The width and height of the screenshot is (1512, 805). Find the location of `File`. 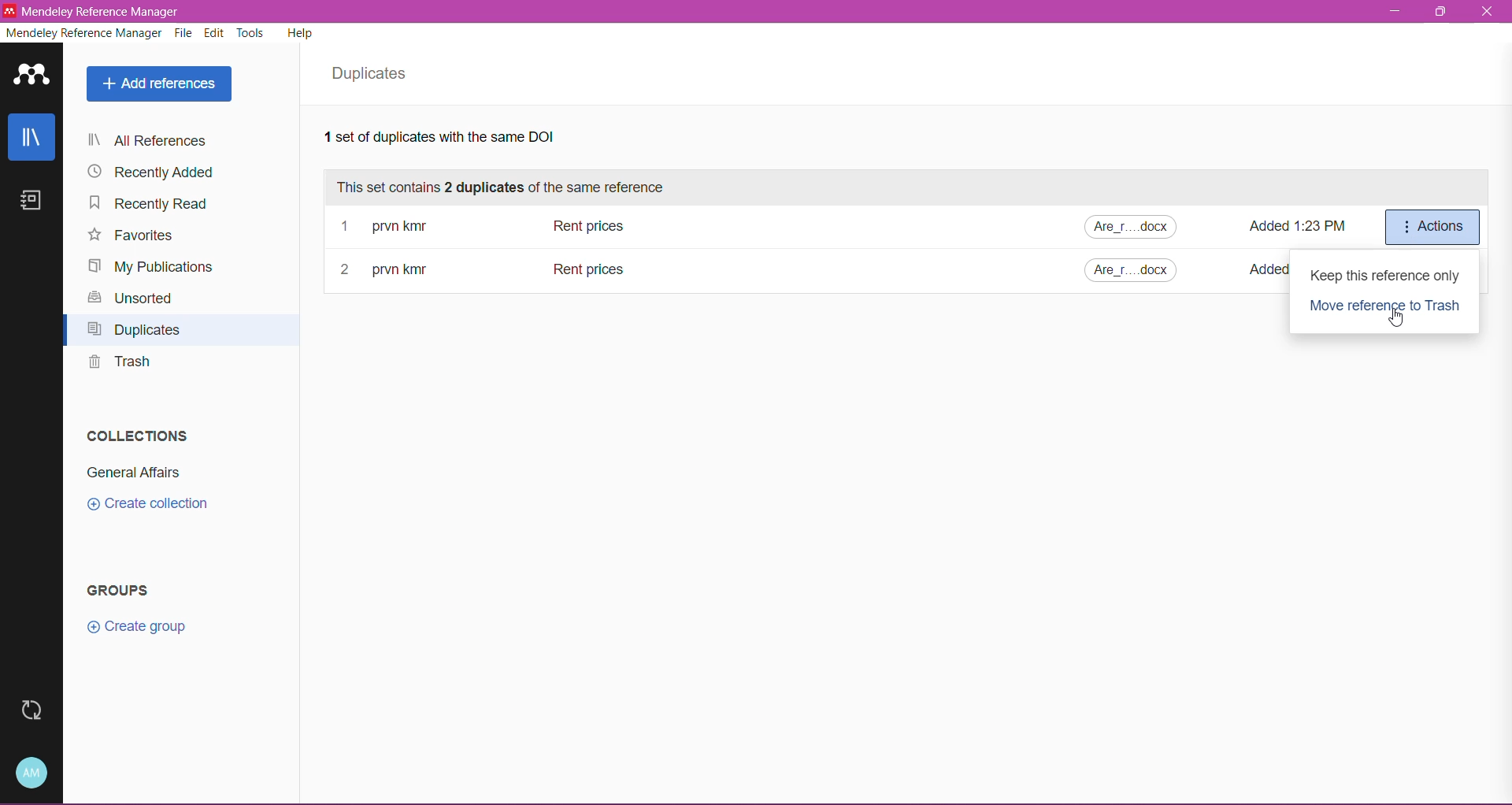

File is located at coordinates (185, 34).